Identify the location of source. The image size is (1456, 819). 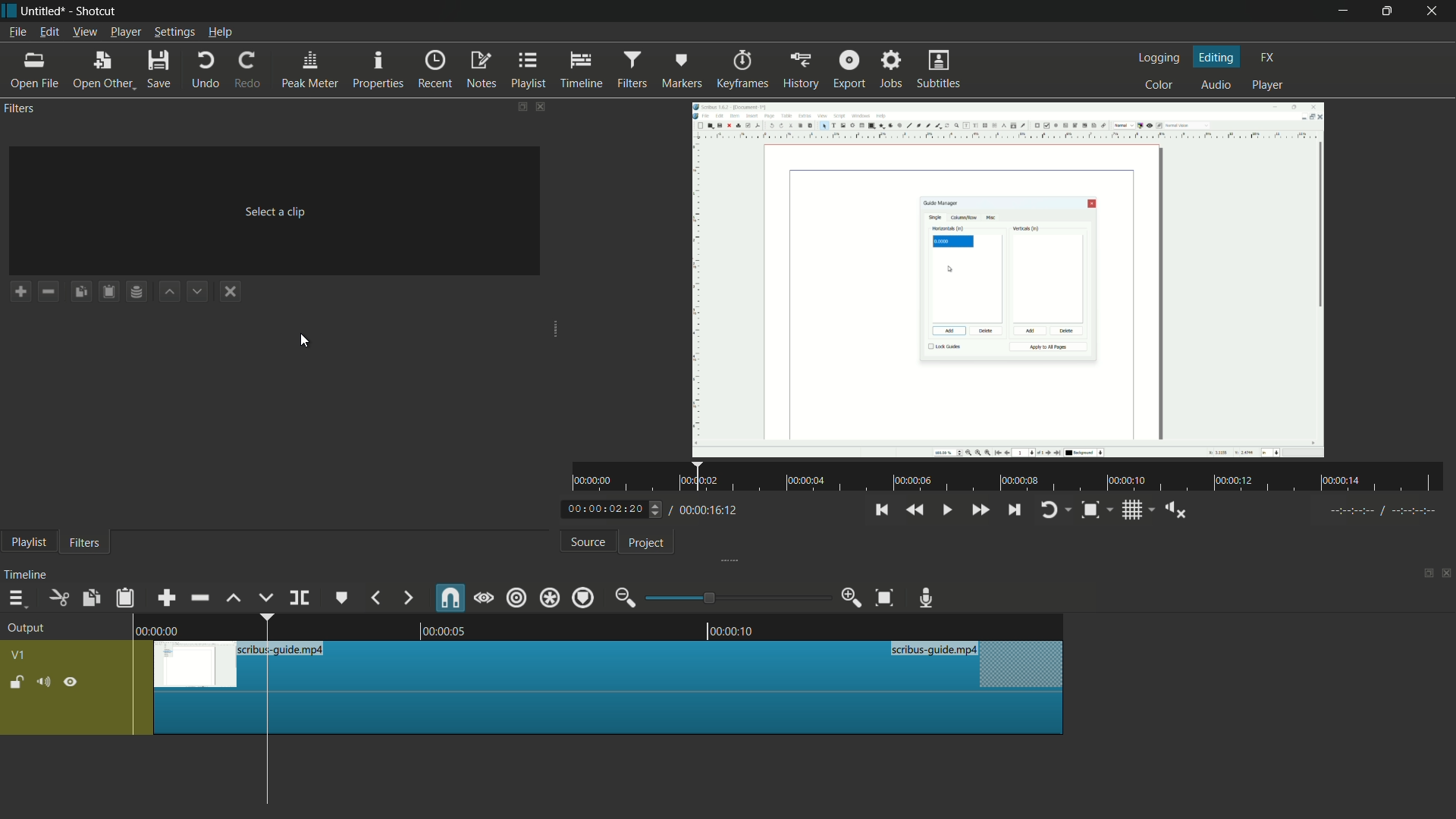
(588, 542).